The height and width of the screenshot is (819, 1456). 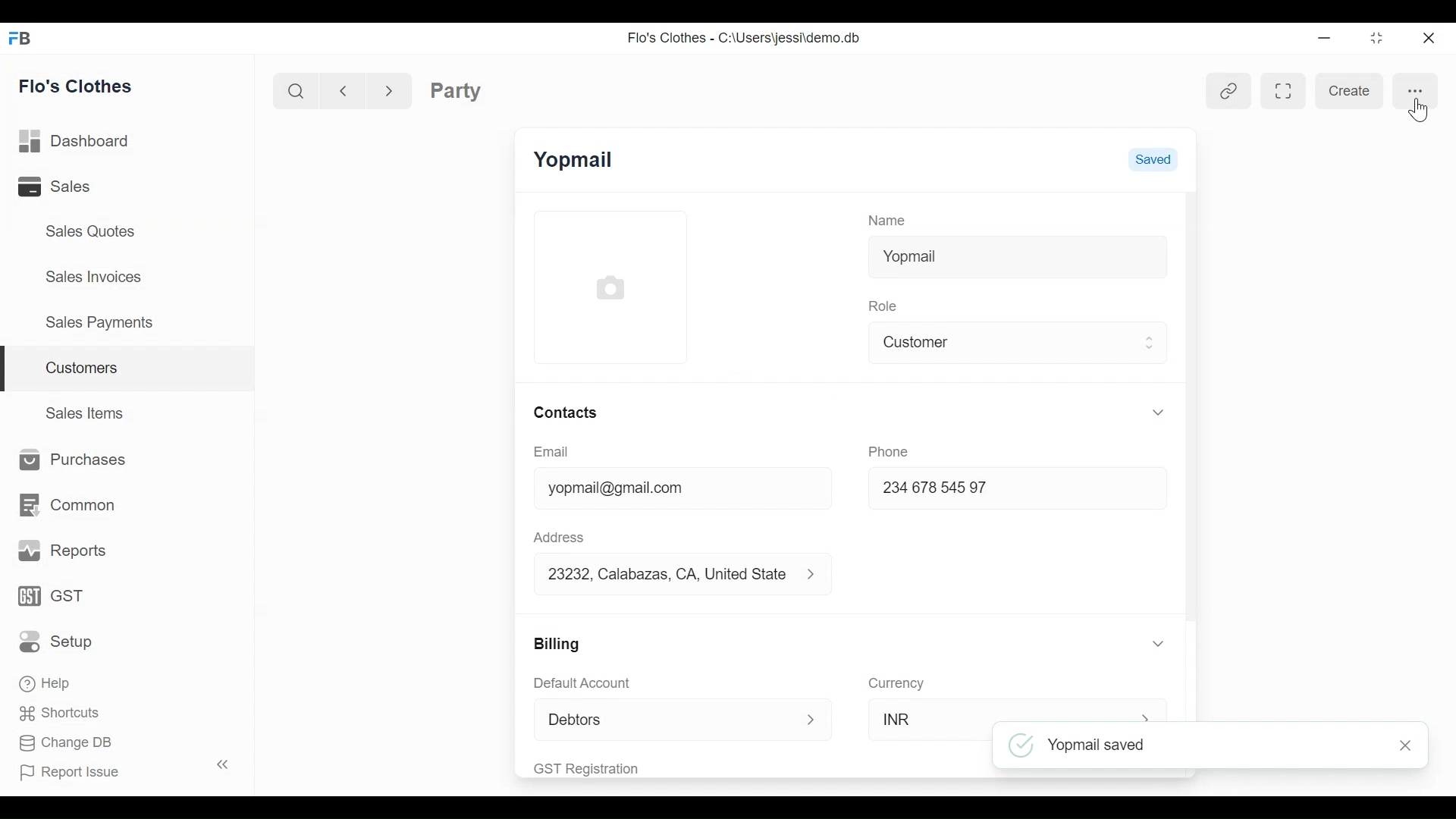 I want to click on Expand, so click(x=1158, y=411).